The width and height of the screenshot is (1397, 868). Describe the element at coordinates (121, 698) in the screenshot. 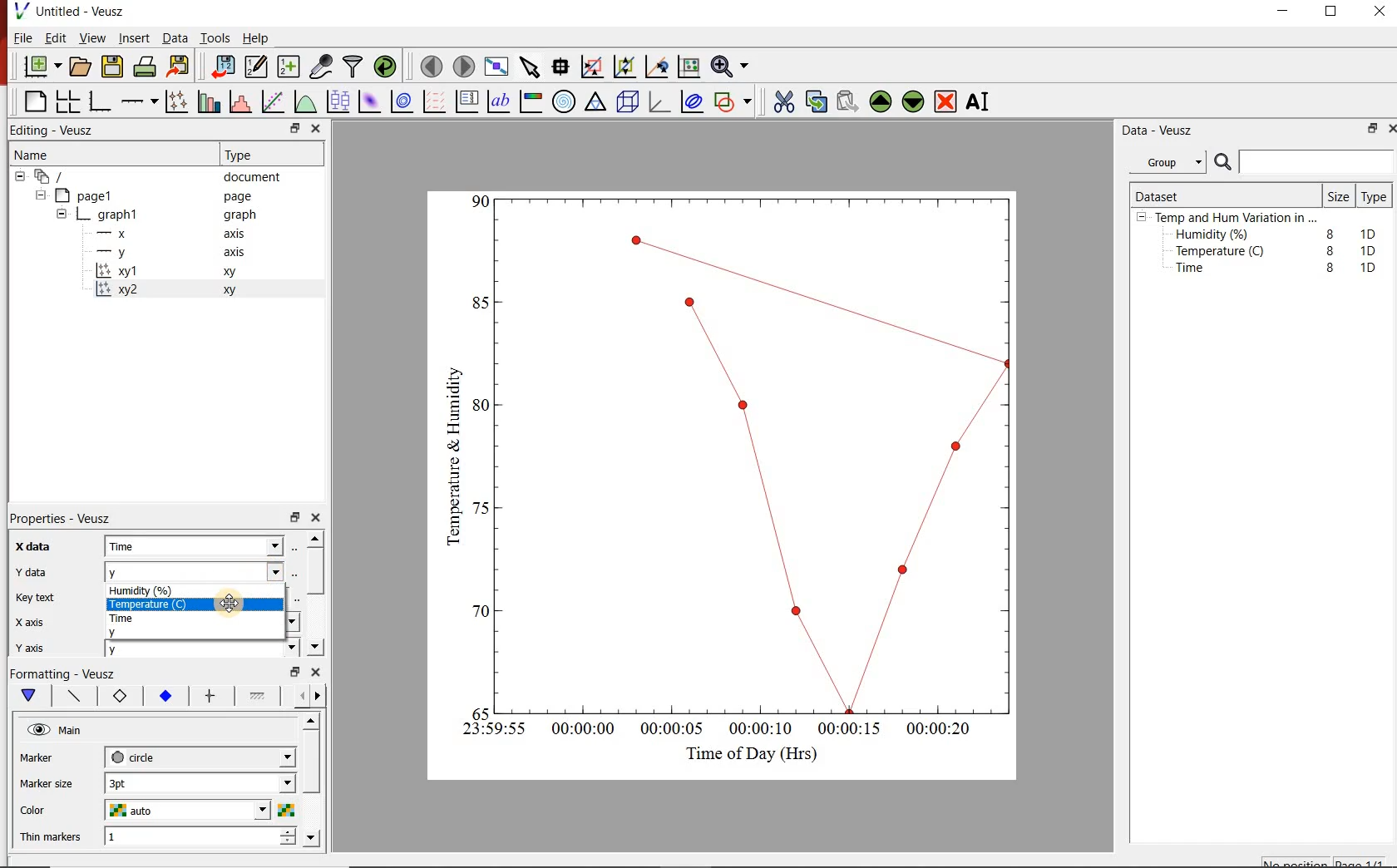

I see `marker border` at that location.